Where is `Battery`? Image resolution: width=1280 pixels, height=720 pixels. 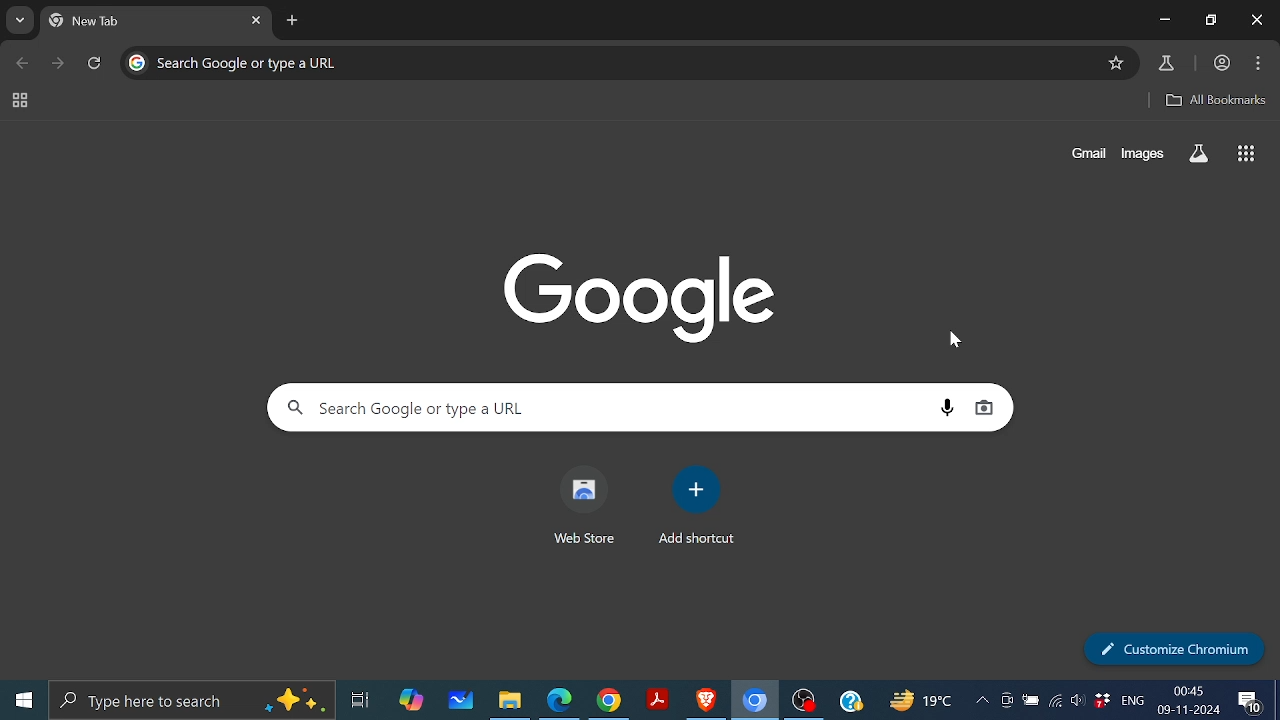 Battery is located at coordinates (1032, 699).